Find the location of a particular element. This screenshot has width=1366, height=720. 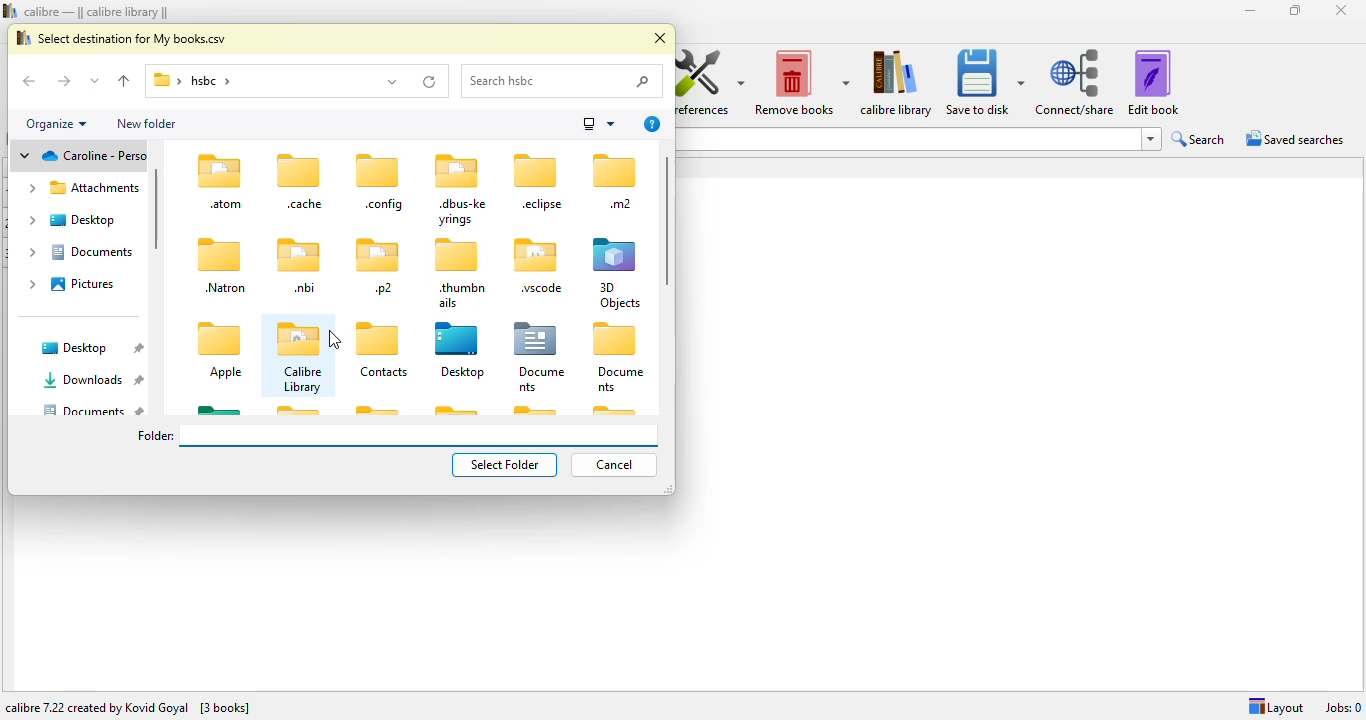

new folder is located at coordinates (148, 122).